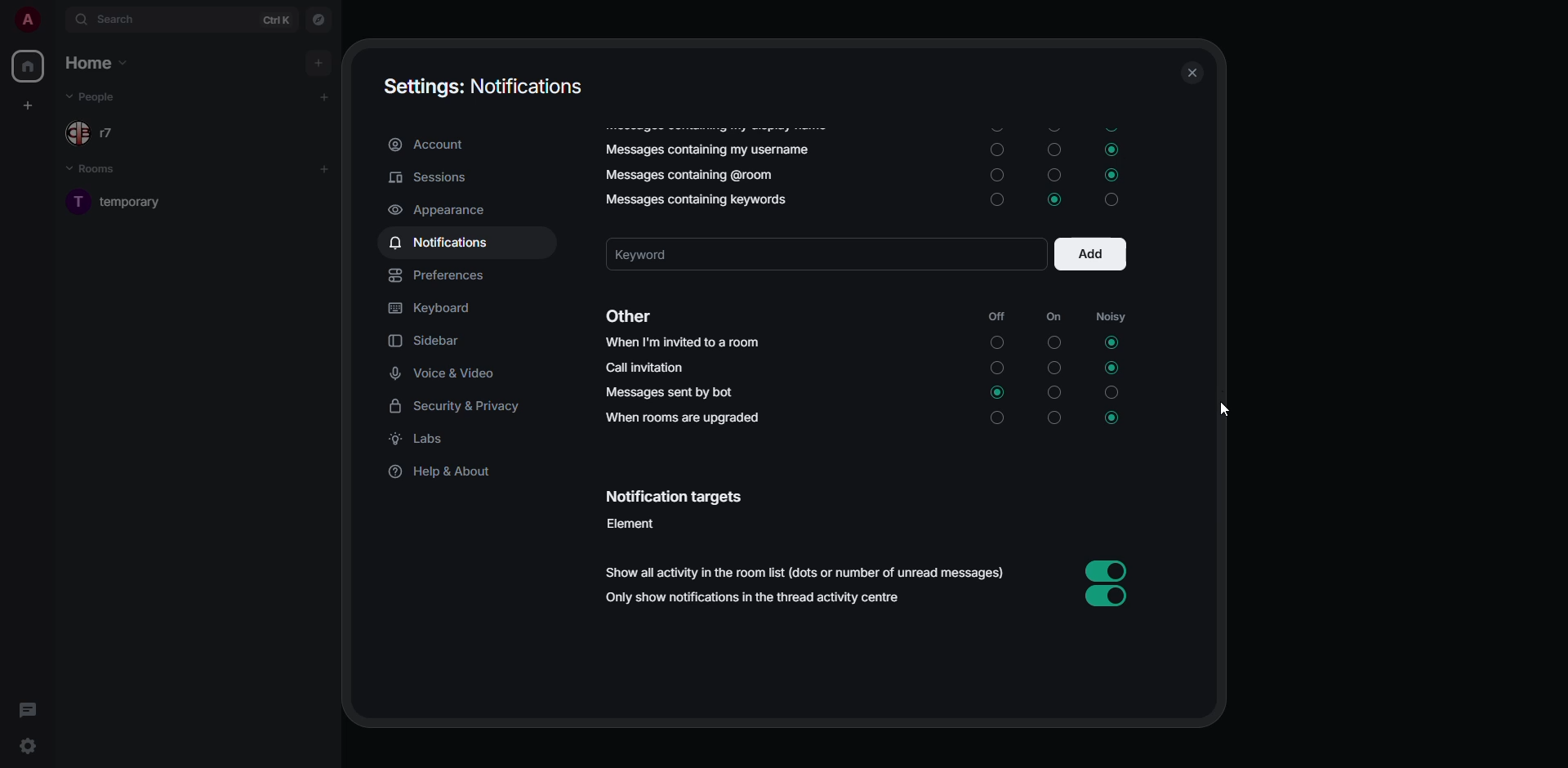 This screenshot has height=768, width=1568. What do you see at coordinates (320, 60) in the screenshot?
I see `add` at bounding box center [320, 60].